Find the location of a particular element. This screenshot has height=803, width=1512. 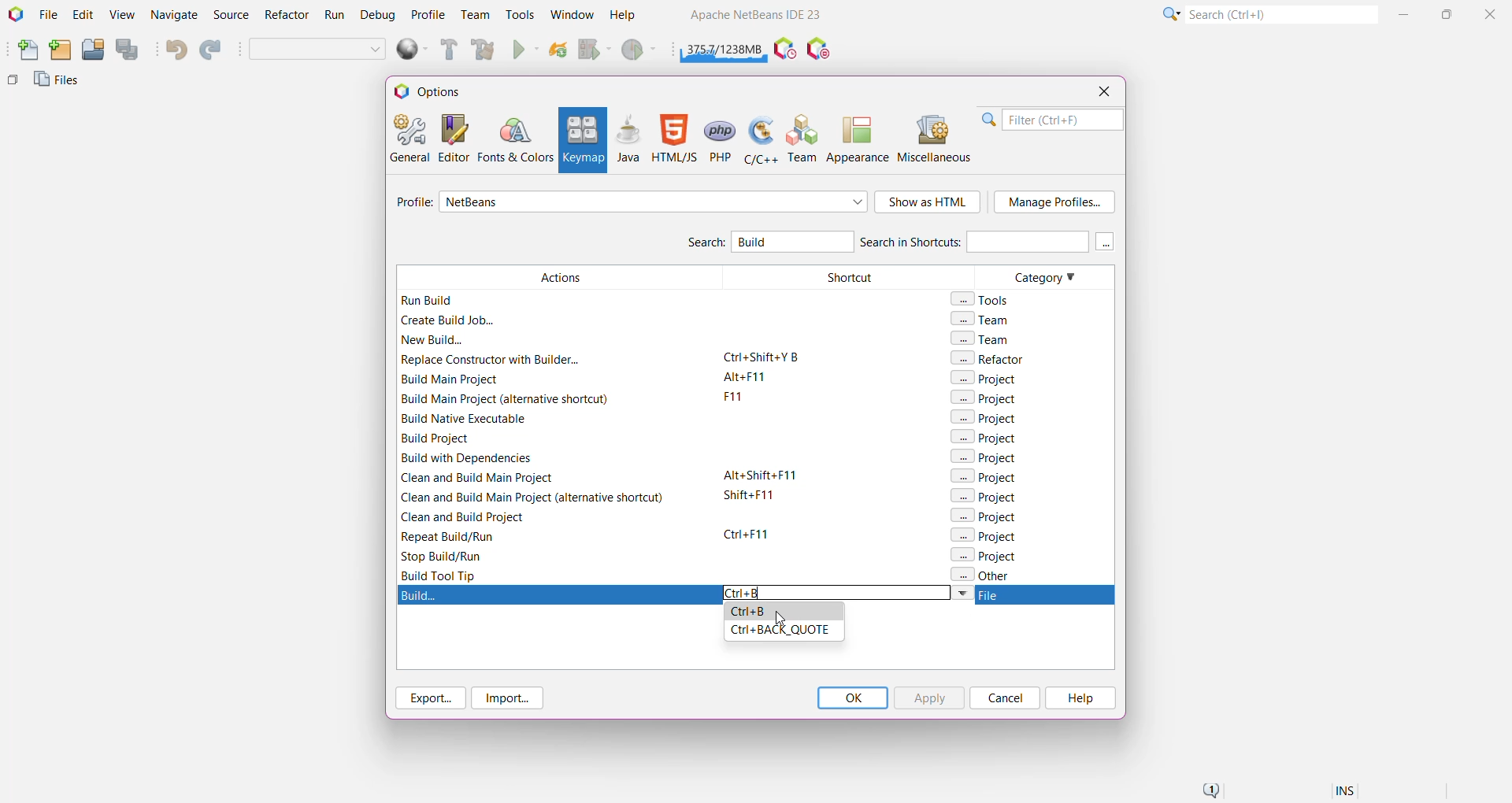

Set Project Configuration is located at coordinates (318, 50).